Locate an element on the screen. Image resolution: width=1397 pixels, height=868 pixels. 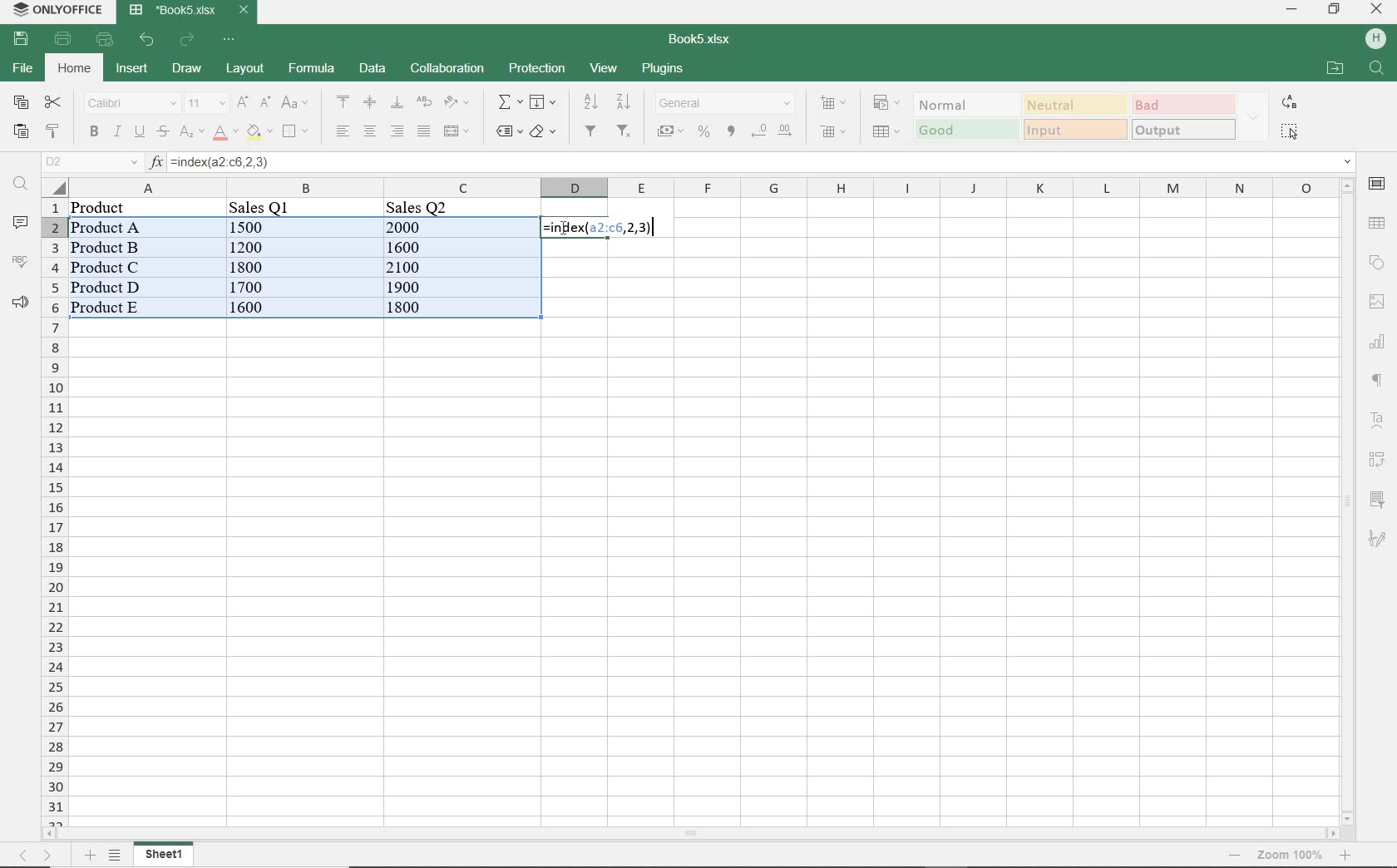
remove filter is located at coordinates (627, 131).